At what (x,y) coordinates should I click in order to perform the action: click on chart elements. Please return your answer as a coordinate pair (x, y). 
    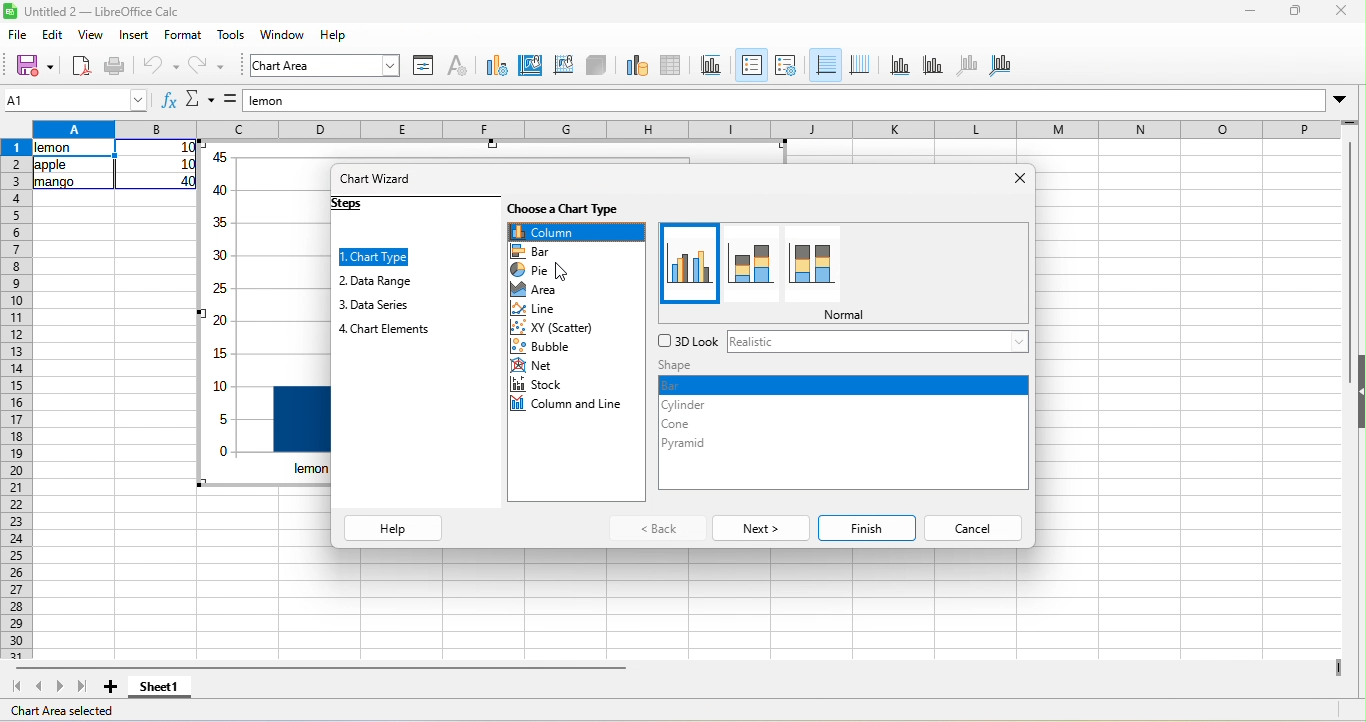
    Looking at the image, I should click on (387, 332).